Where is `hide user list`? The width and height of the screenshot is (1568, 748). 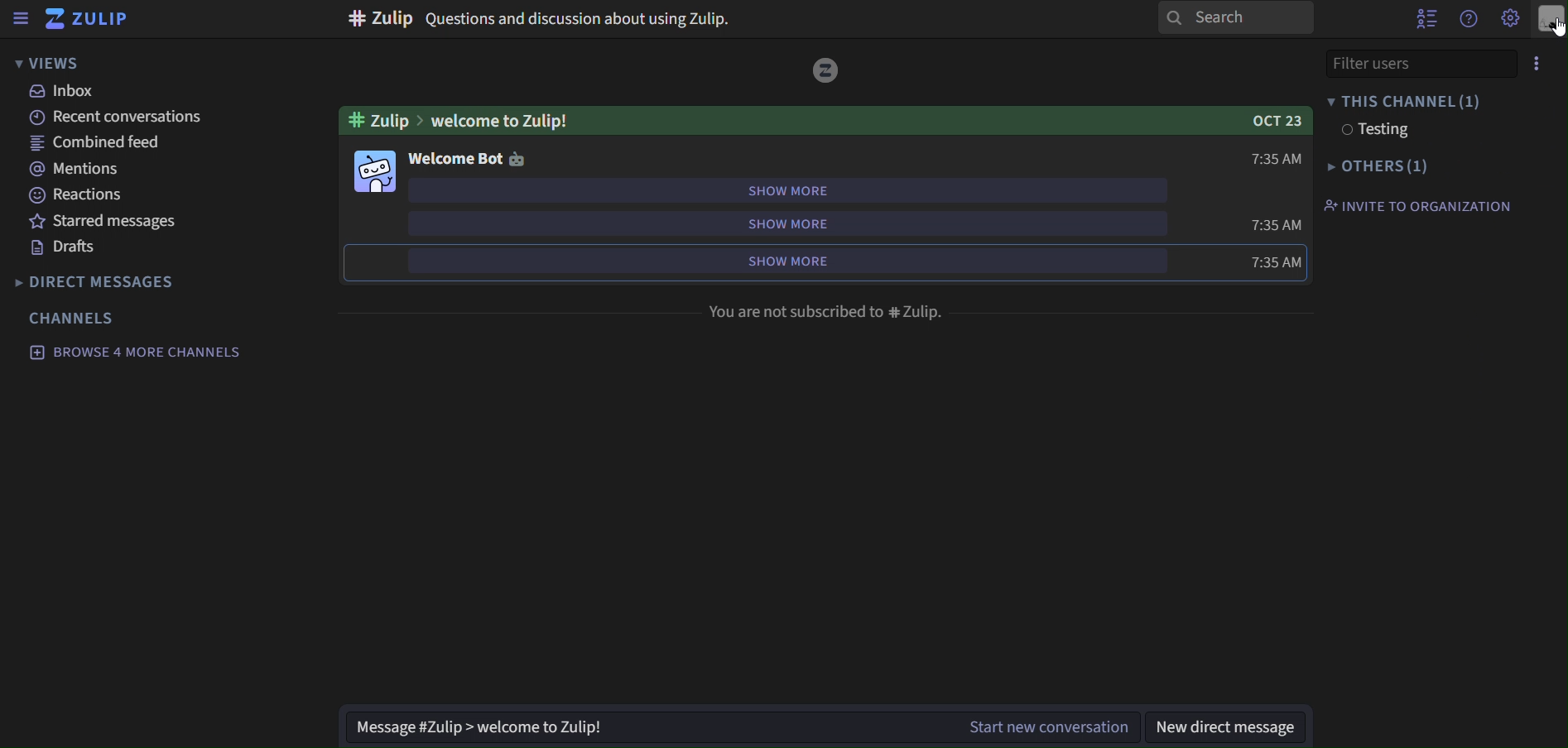
hide user list is located at coordinates (1426, 18).